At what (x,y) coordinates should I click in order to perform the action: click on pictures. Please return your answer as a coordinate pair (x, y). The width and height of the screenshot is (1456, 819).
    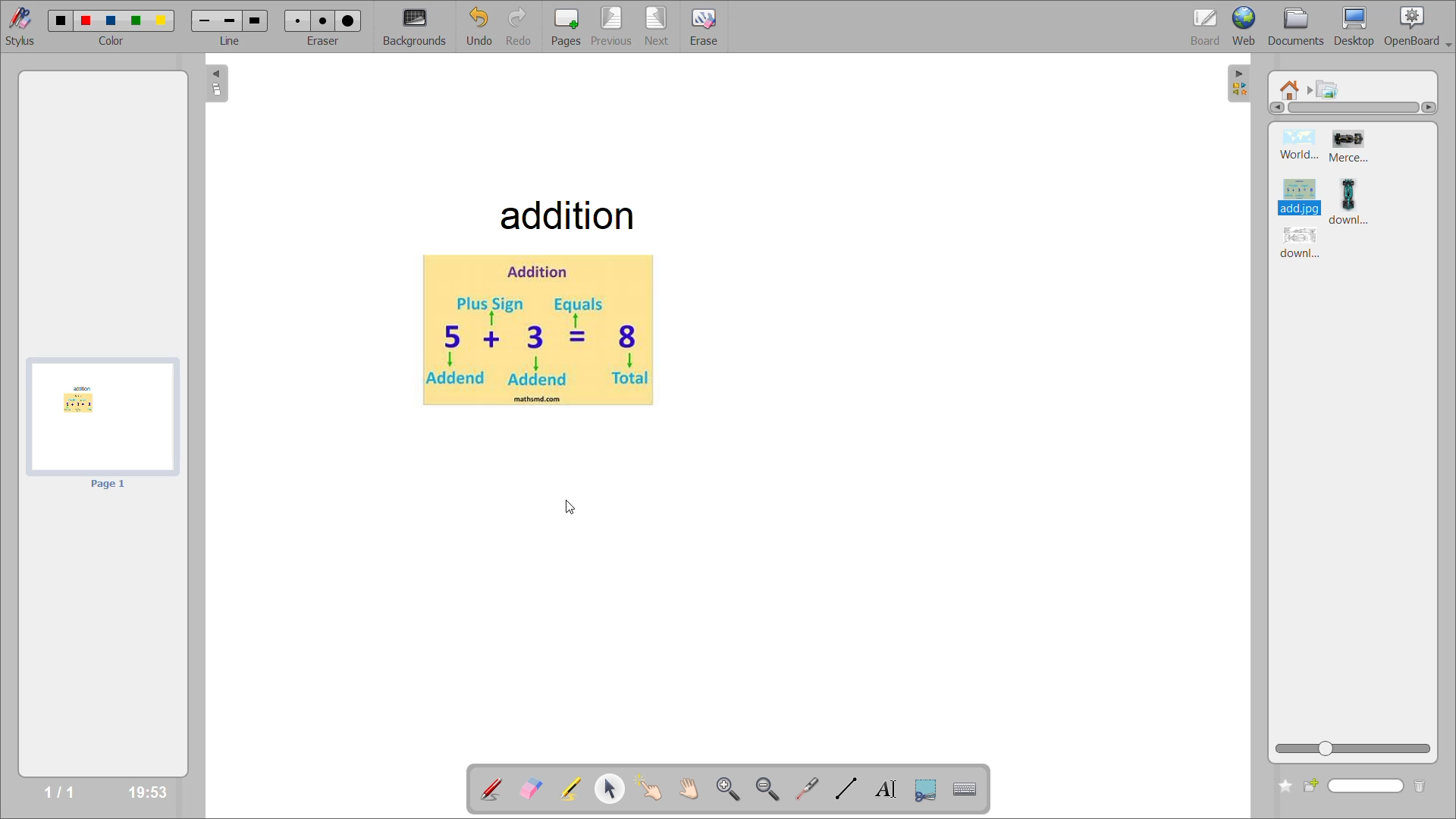
    Looking at the image, I should click on (1329, 89).